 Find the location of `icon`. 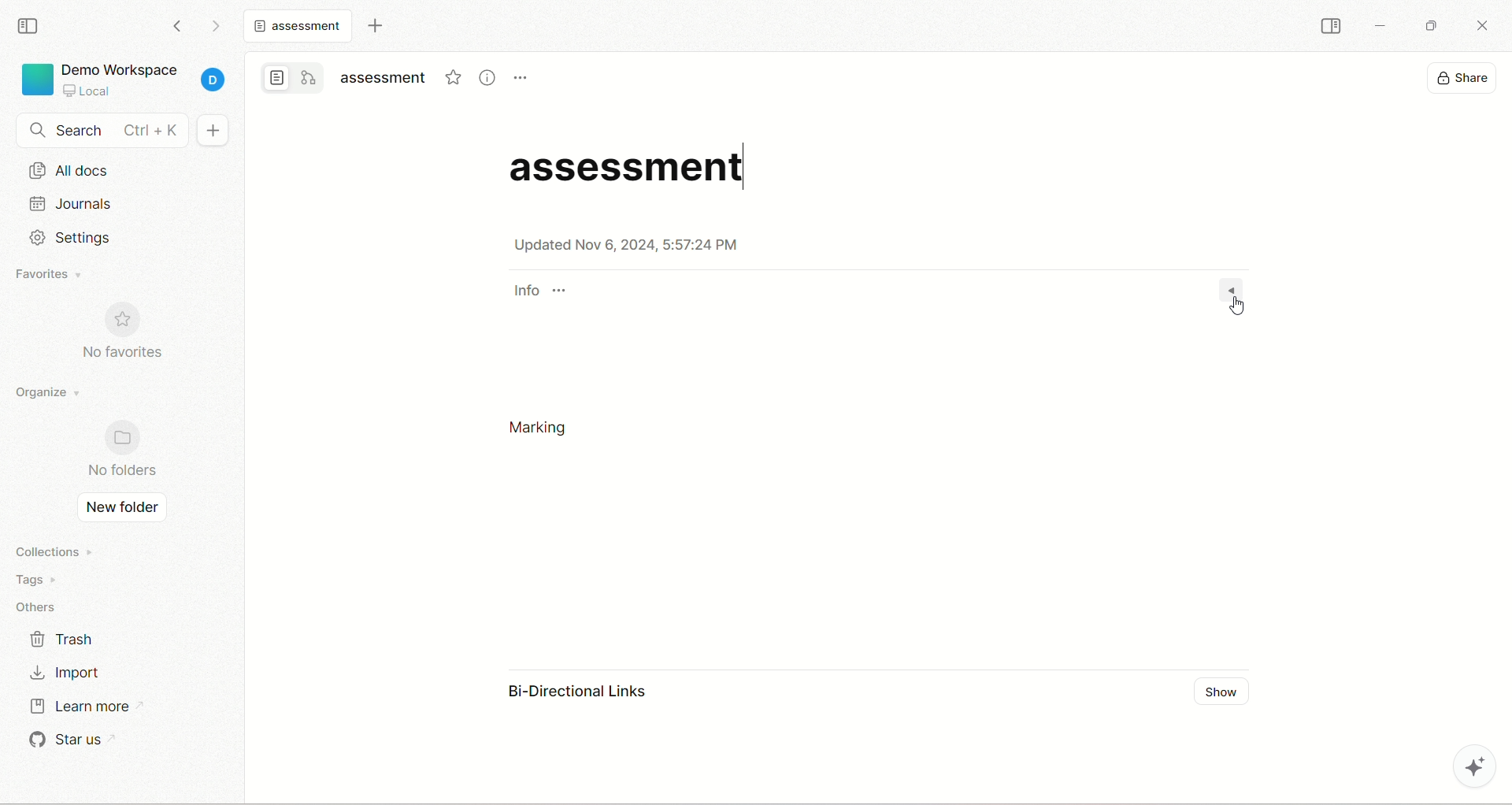

icon is located at coordinates (122, 437).